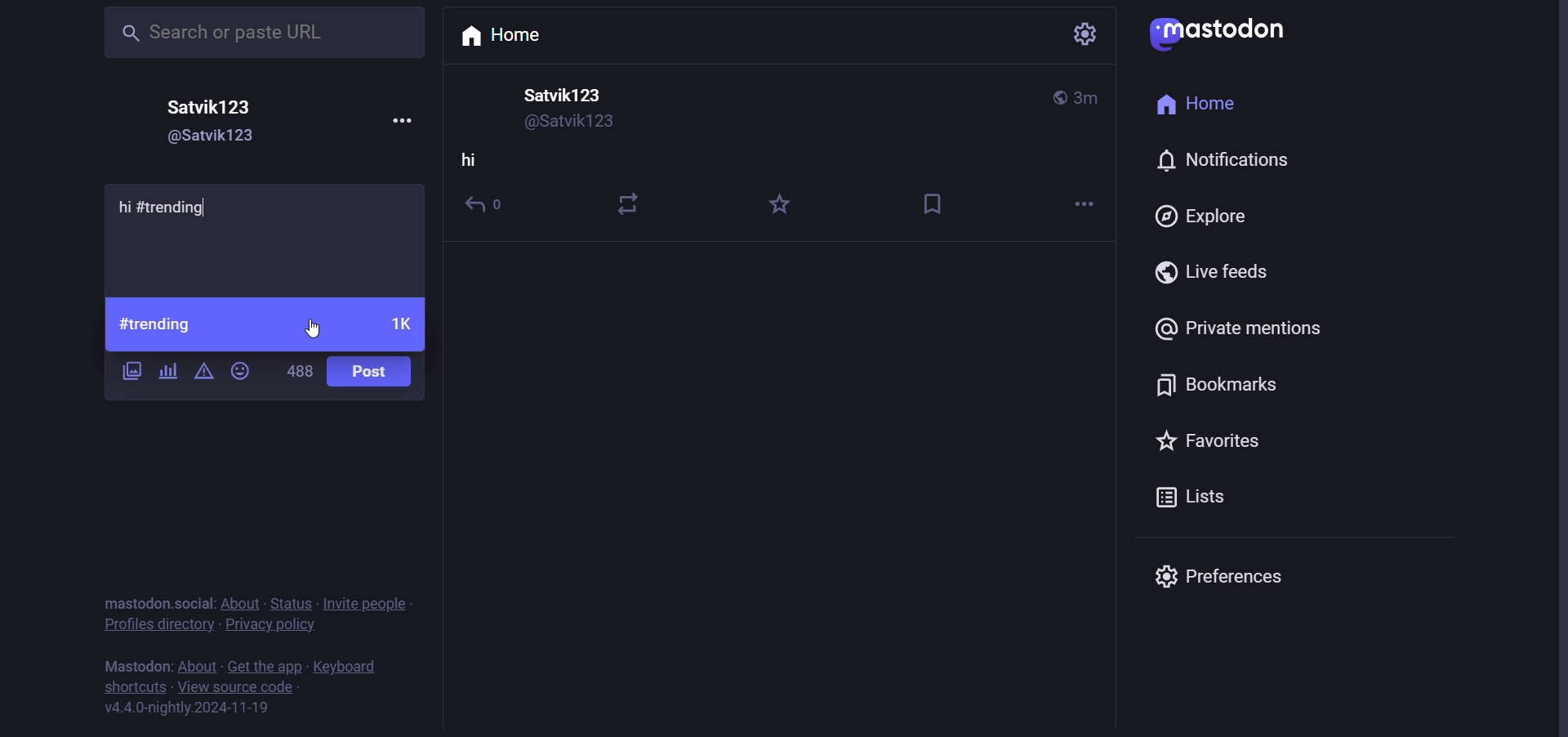 Image resolution: width=1568 pixels, height=737 pixels. I want to click on word limit, so click(299, 370).